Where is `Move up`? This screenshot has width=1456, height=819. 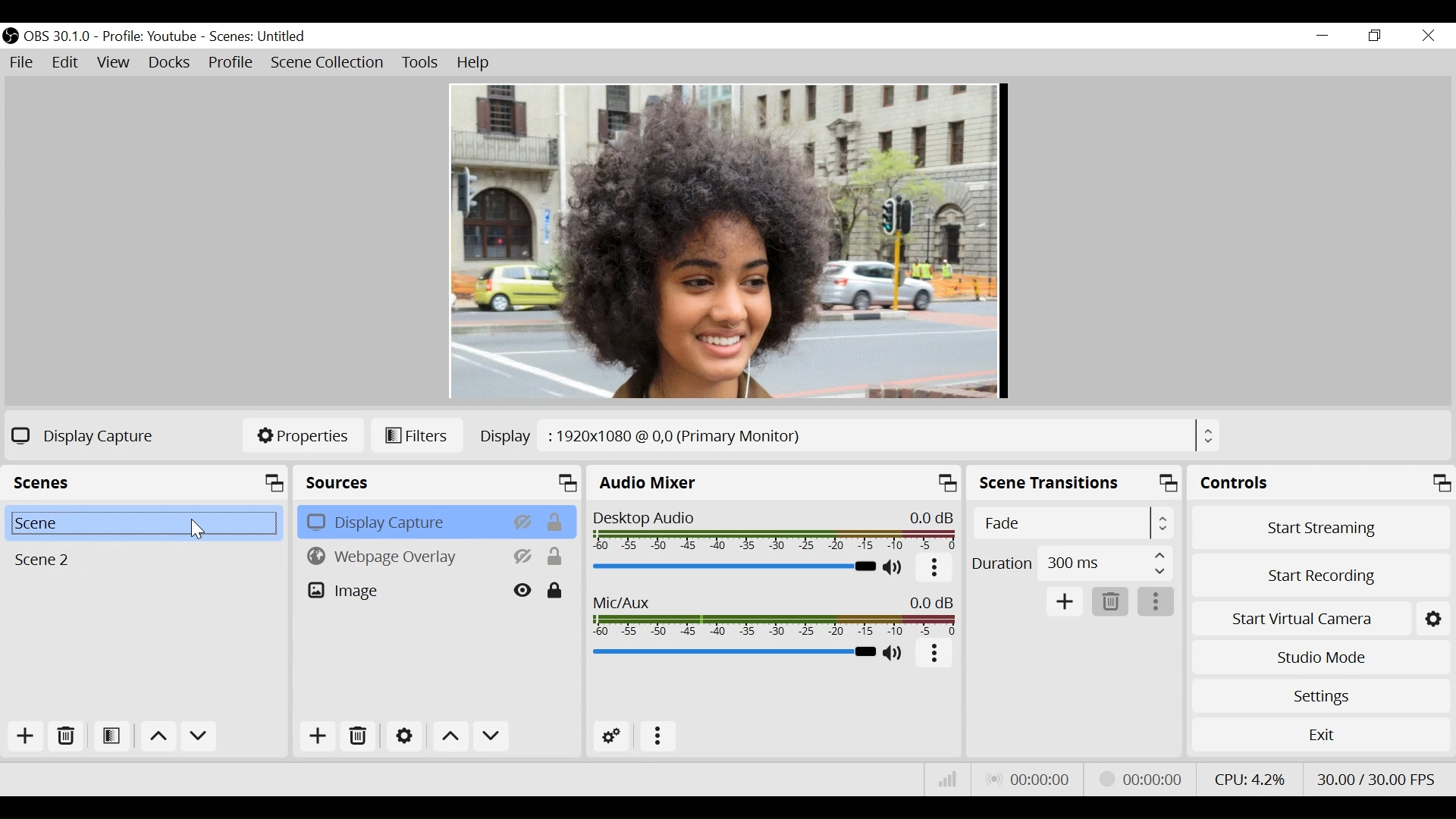
Move up is located at coordinates (157, 738).